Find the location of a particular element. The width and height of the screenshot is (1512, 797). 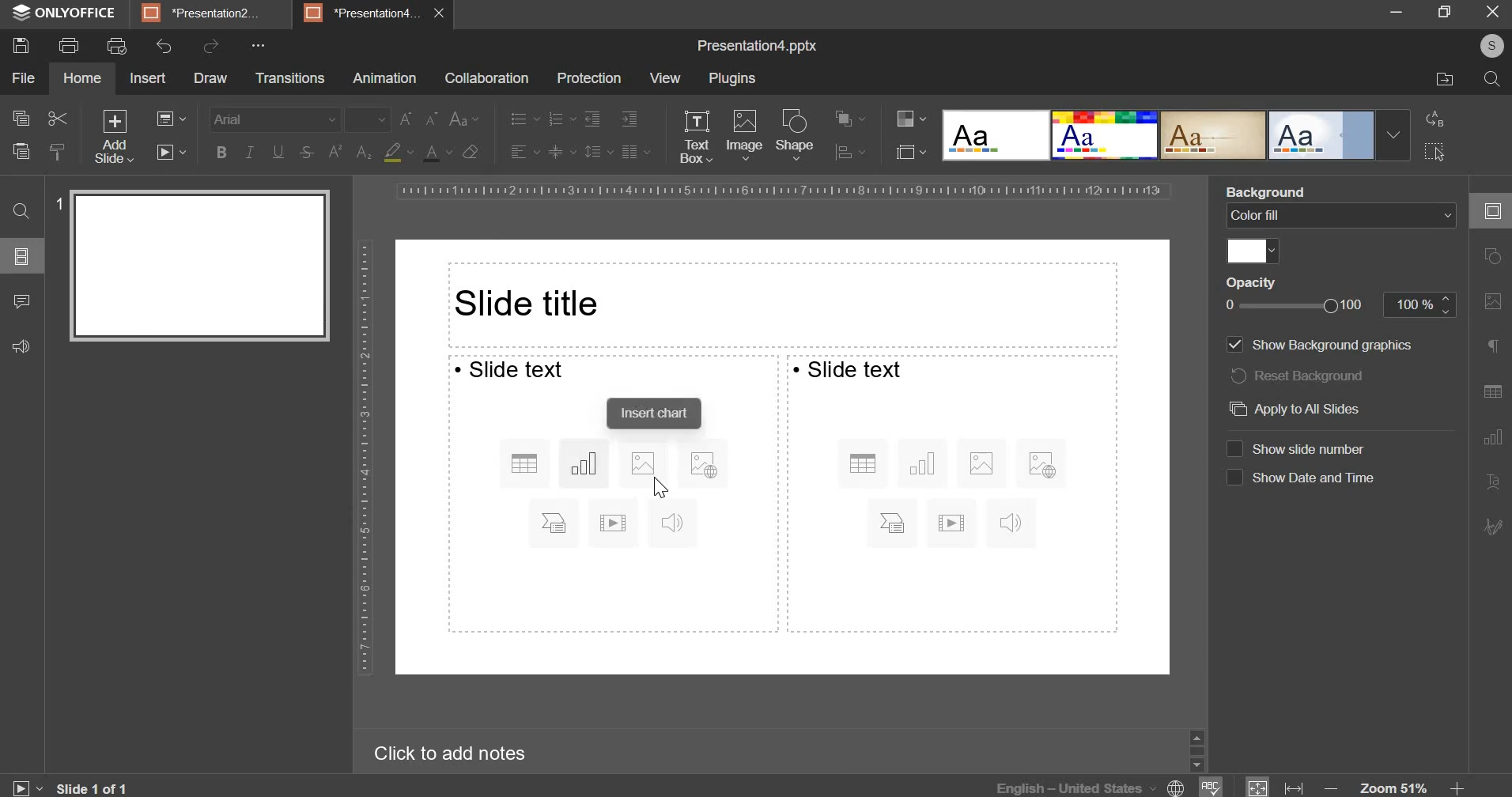

paragraph setting is located at coordinates (634, 150).